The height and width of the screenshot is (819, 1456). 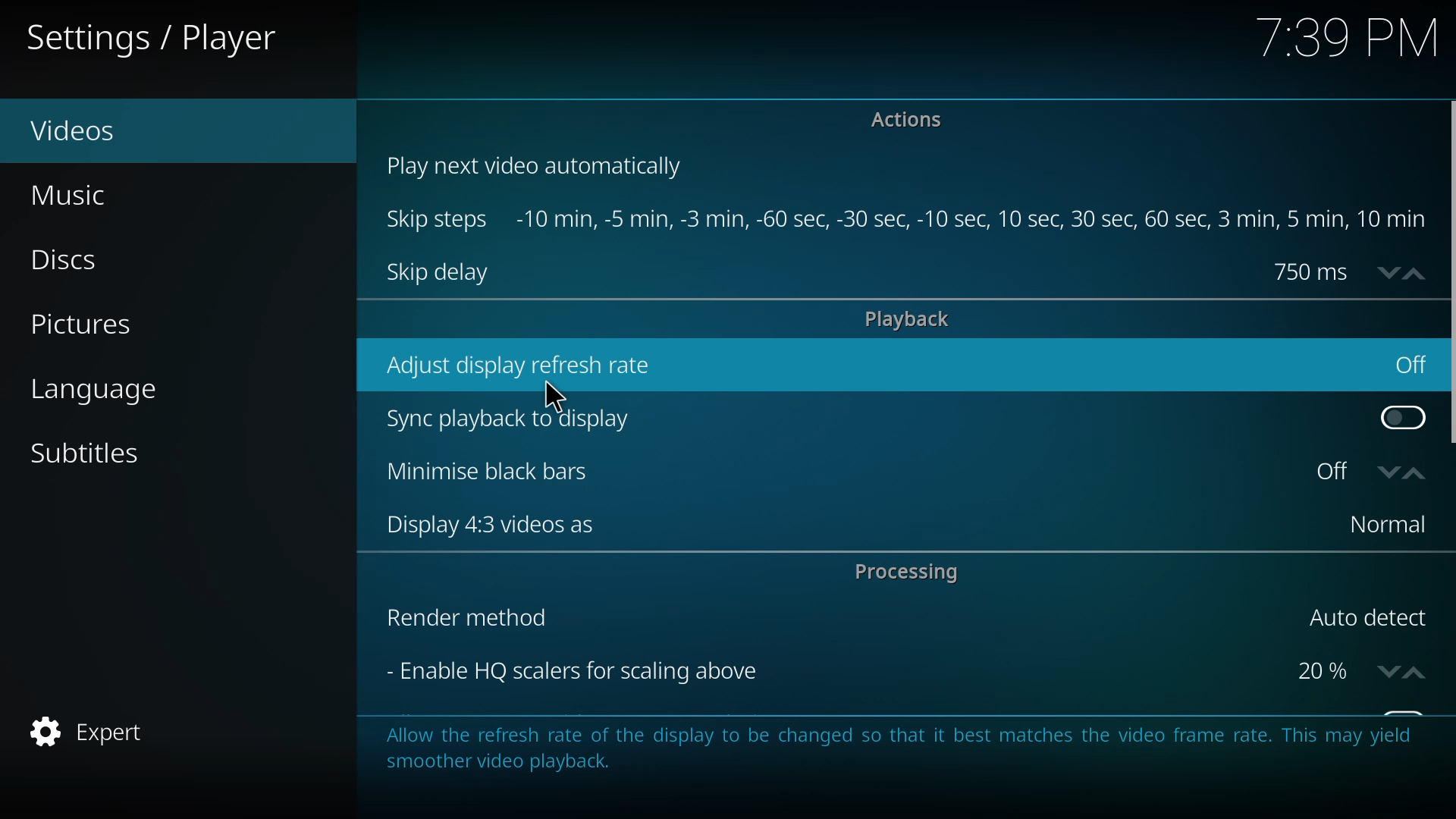 What do you see at coordinates (83, 130) in the screenshot?
I see `videos` at bounding box center [83, 130].